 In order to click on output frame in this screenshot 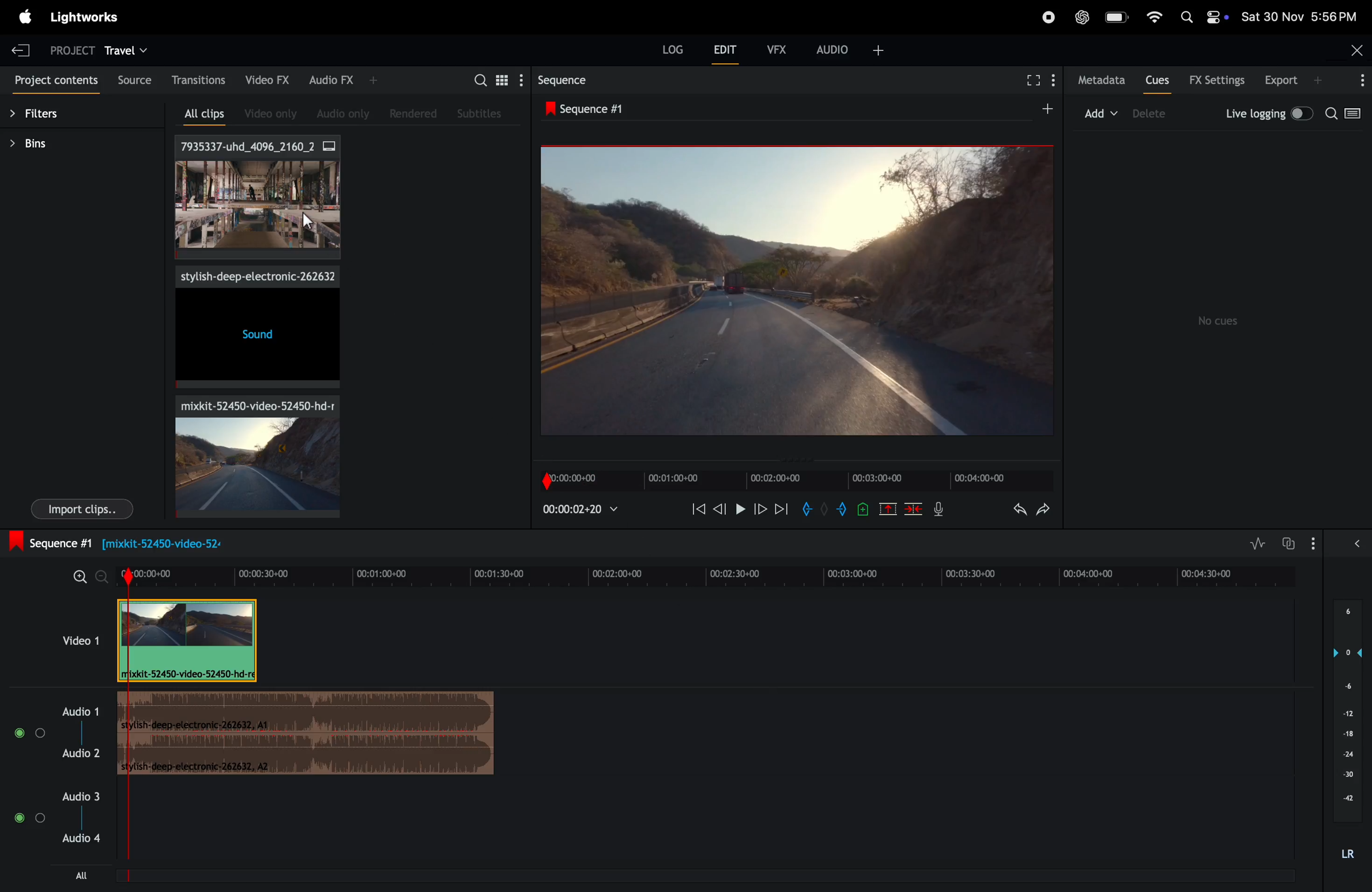, I will do `click(795, 290)`.